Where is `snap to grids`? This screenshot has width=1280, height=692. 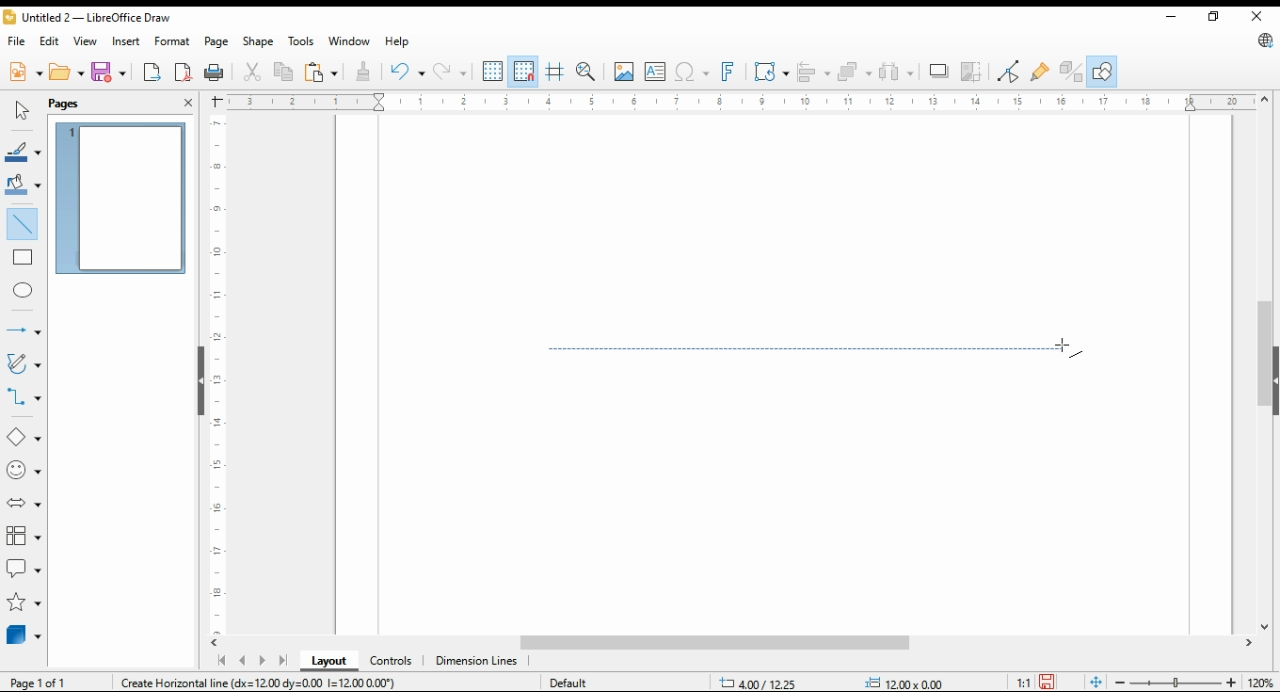
snap to grids is located at coordinates (524, 72).